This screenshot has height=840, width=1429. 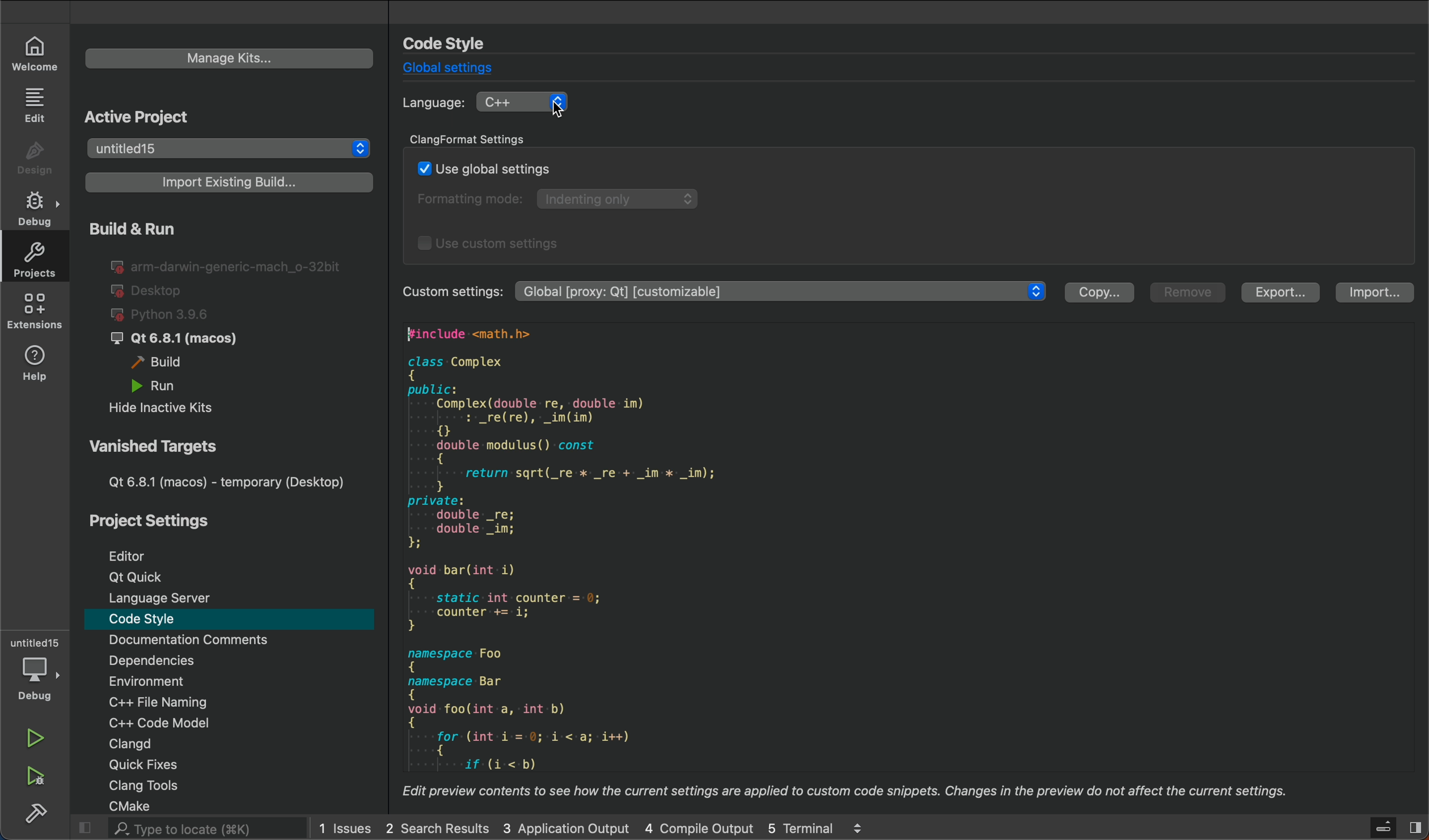 What do you see at coordinates (33, 155) in the screenshot?
I see `design` at bounding box center [33, 155].